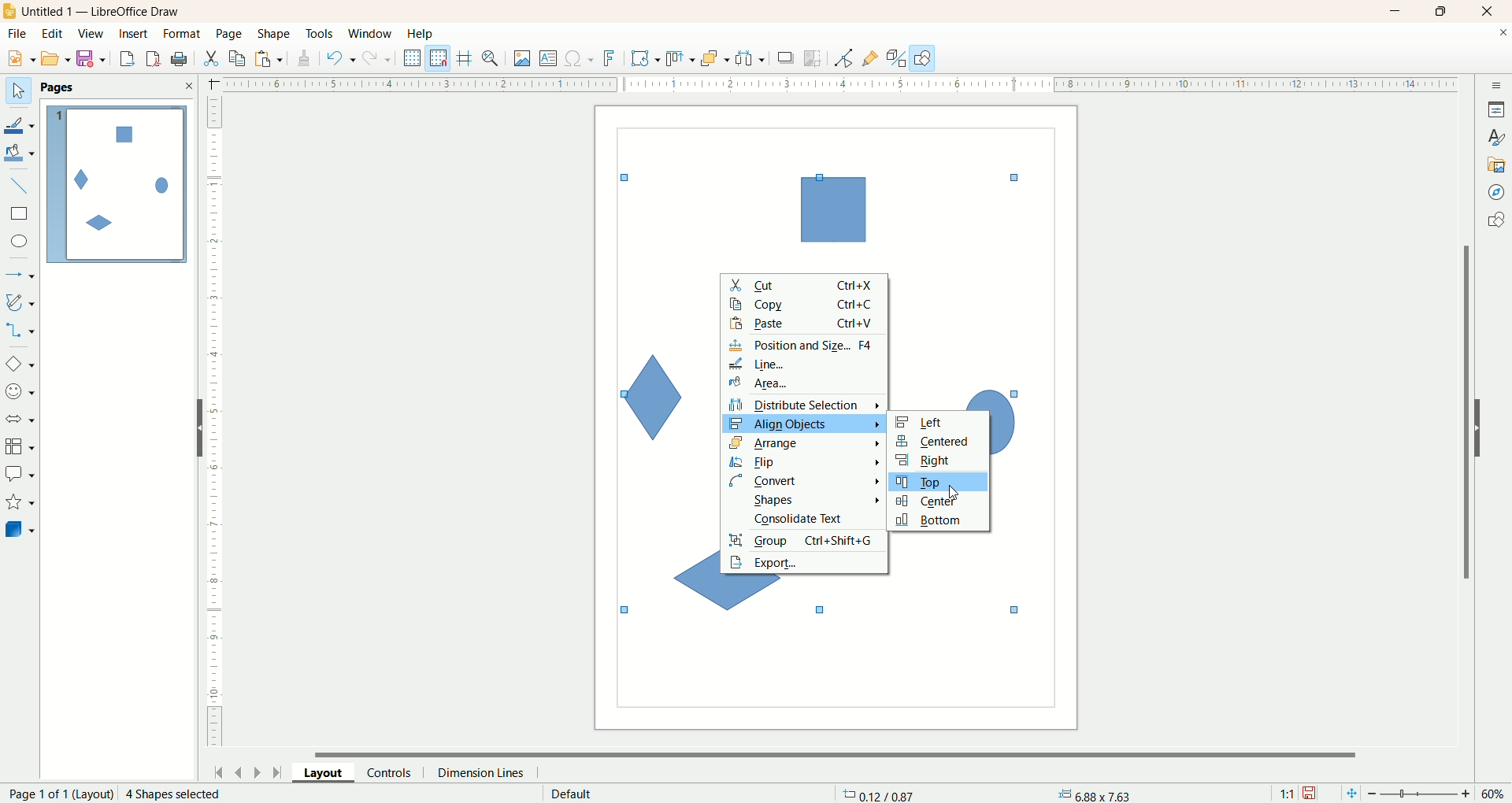 This screenshot has width=1512, height=803. What do you see at coordinates (832, 208) in the screenshot?
I see `unselected shape` at bounding box center [832, 208].